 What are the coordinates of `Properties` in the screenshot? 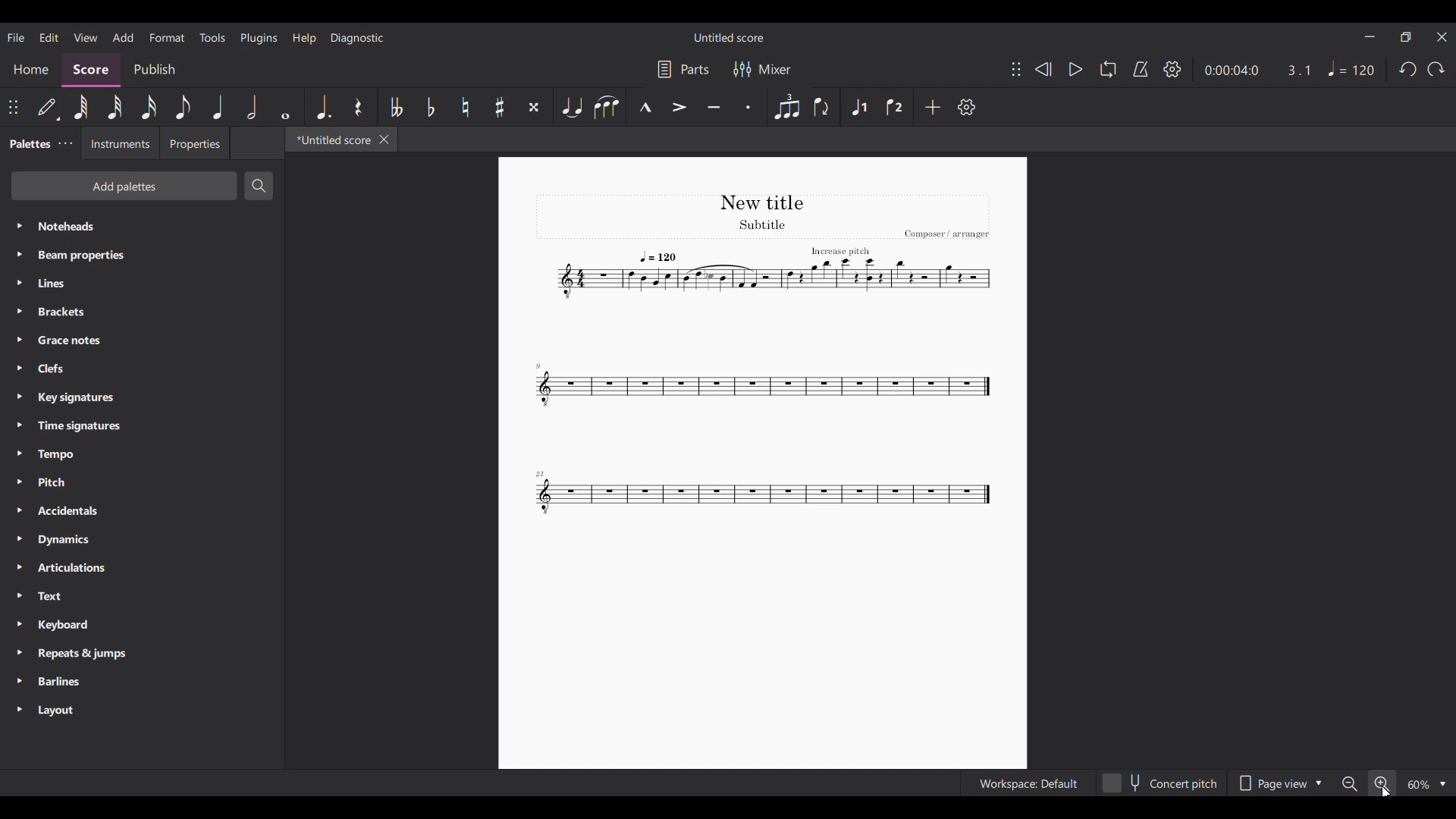 It's located at (196, 143).